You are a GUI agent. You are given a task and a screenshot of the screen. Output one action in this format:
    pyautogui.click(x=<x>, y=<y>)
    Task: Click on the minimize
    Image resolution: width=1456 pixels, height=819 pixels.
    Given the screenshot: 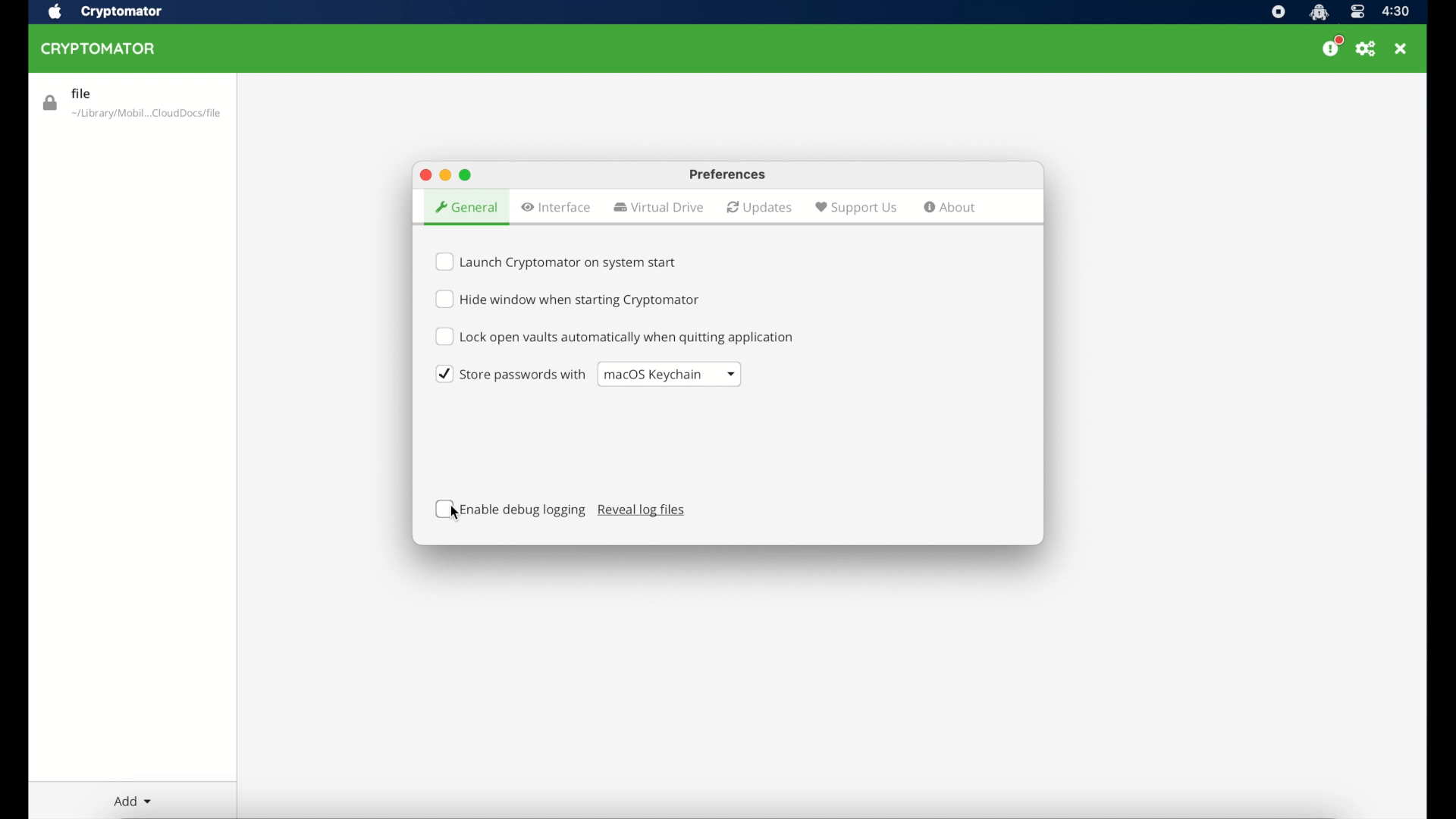 What is the action you would take?
    pyautogui.click(x=445, y=175)
    